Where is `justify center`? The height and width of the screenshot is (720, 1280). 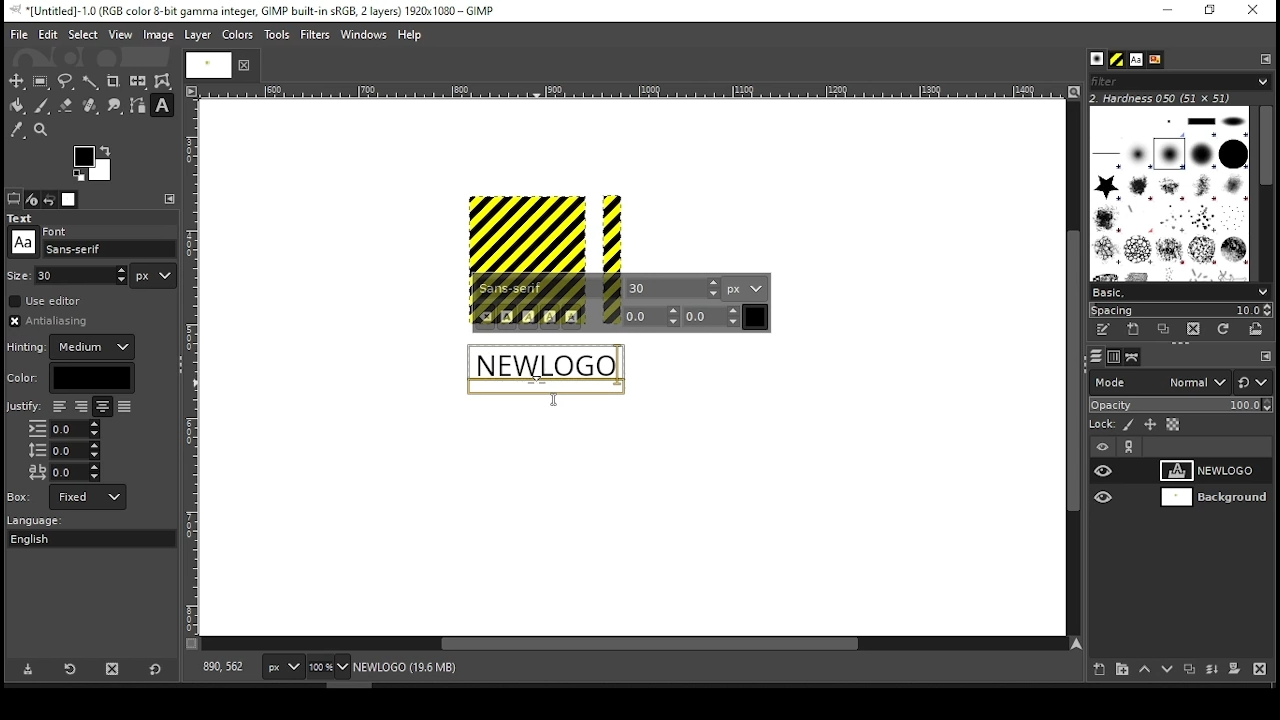 justify center is located at coordinates (102, 407).